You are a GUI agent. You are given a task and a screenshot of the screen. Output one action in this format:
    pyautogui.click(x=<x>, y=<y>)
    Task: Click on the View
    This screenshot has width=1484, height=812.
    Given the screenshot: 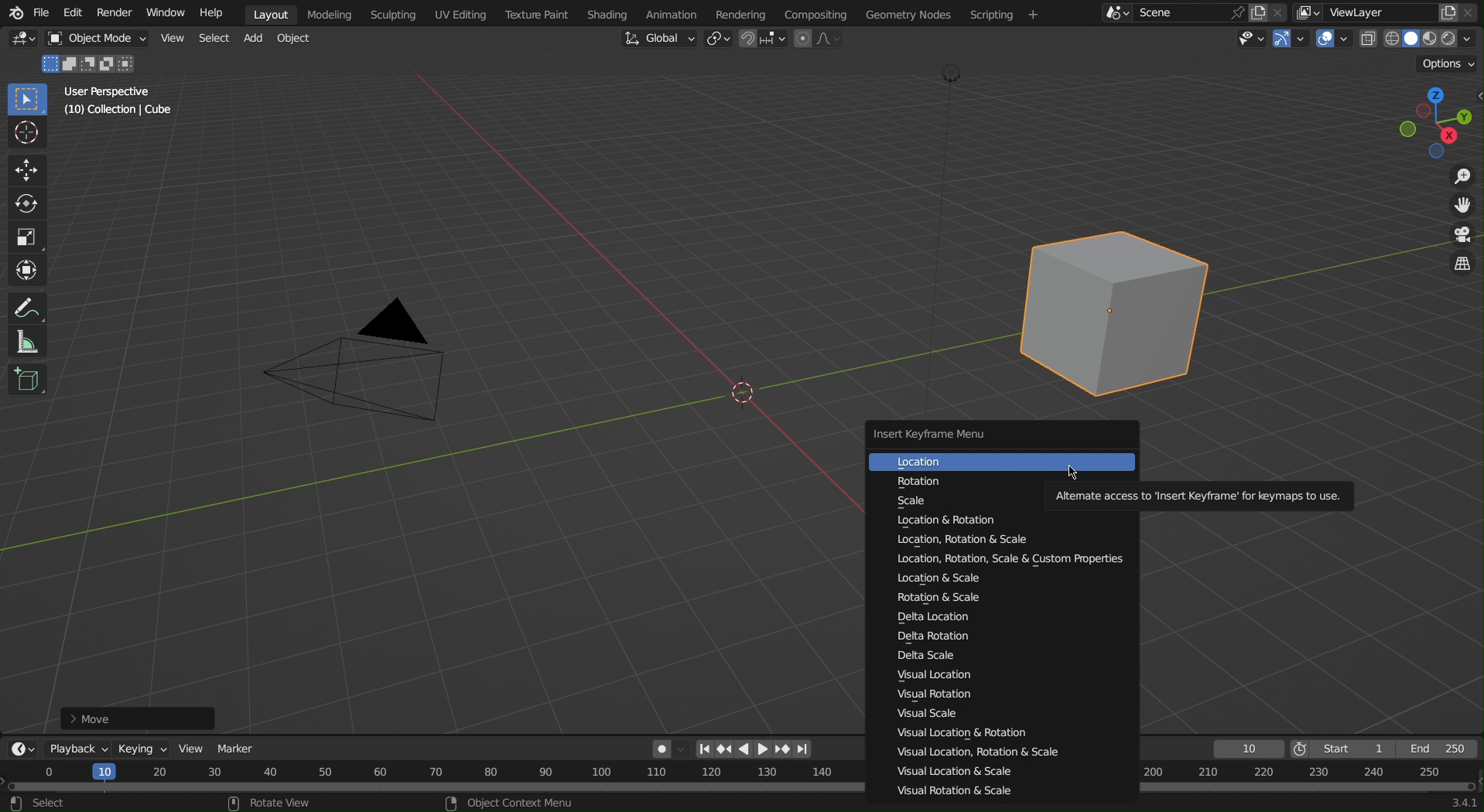 What is the action you would take?
    pyautogui.click(x=190, y=747)
    